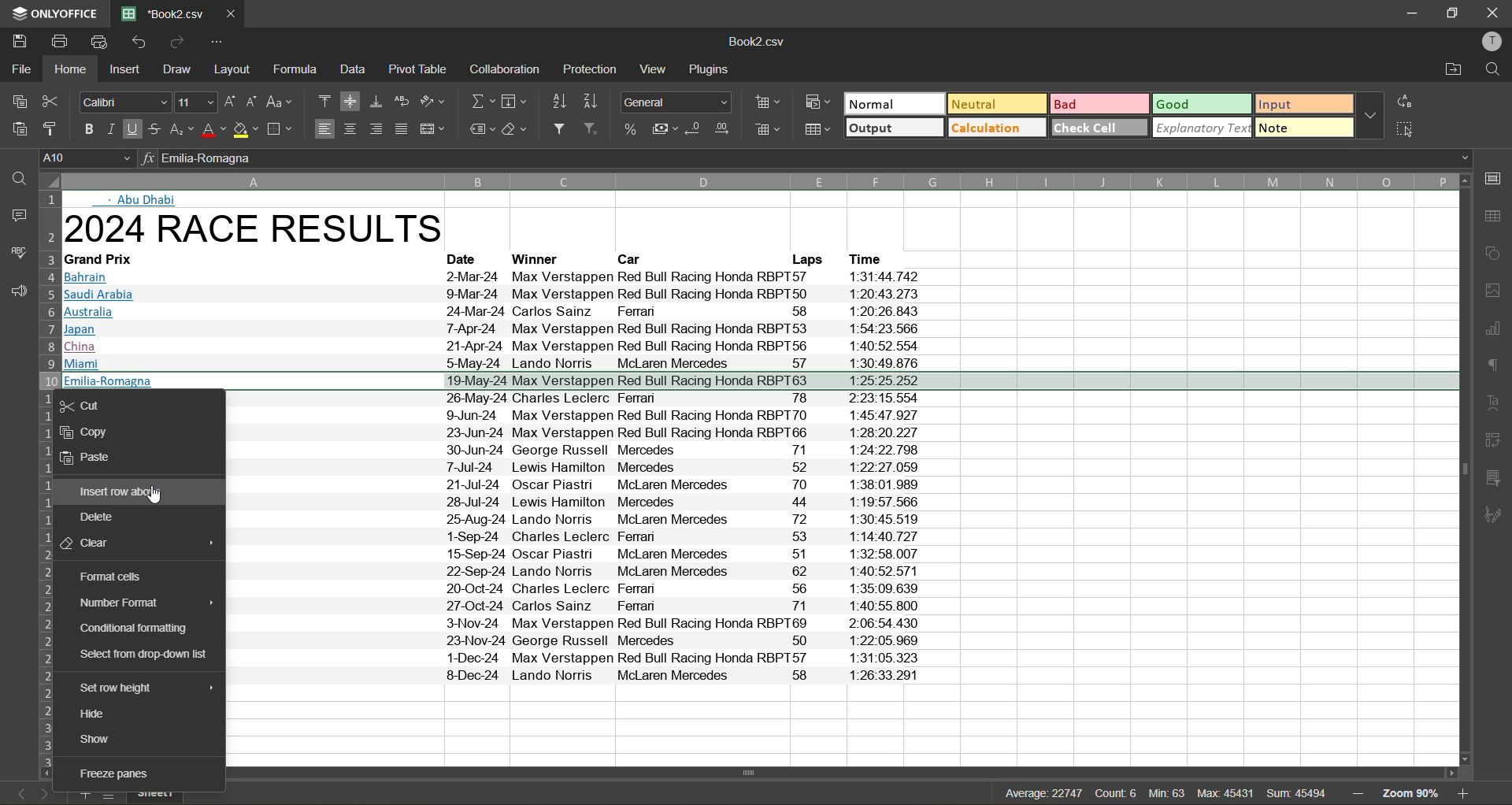 The image size is (1512, 805). I want to click on Azerbaijan 15-Sep-24 Oscar Piastri McLaren Mercedes 51 1:32:58.007, so click(578, 554).